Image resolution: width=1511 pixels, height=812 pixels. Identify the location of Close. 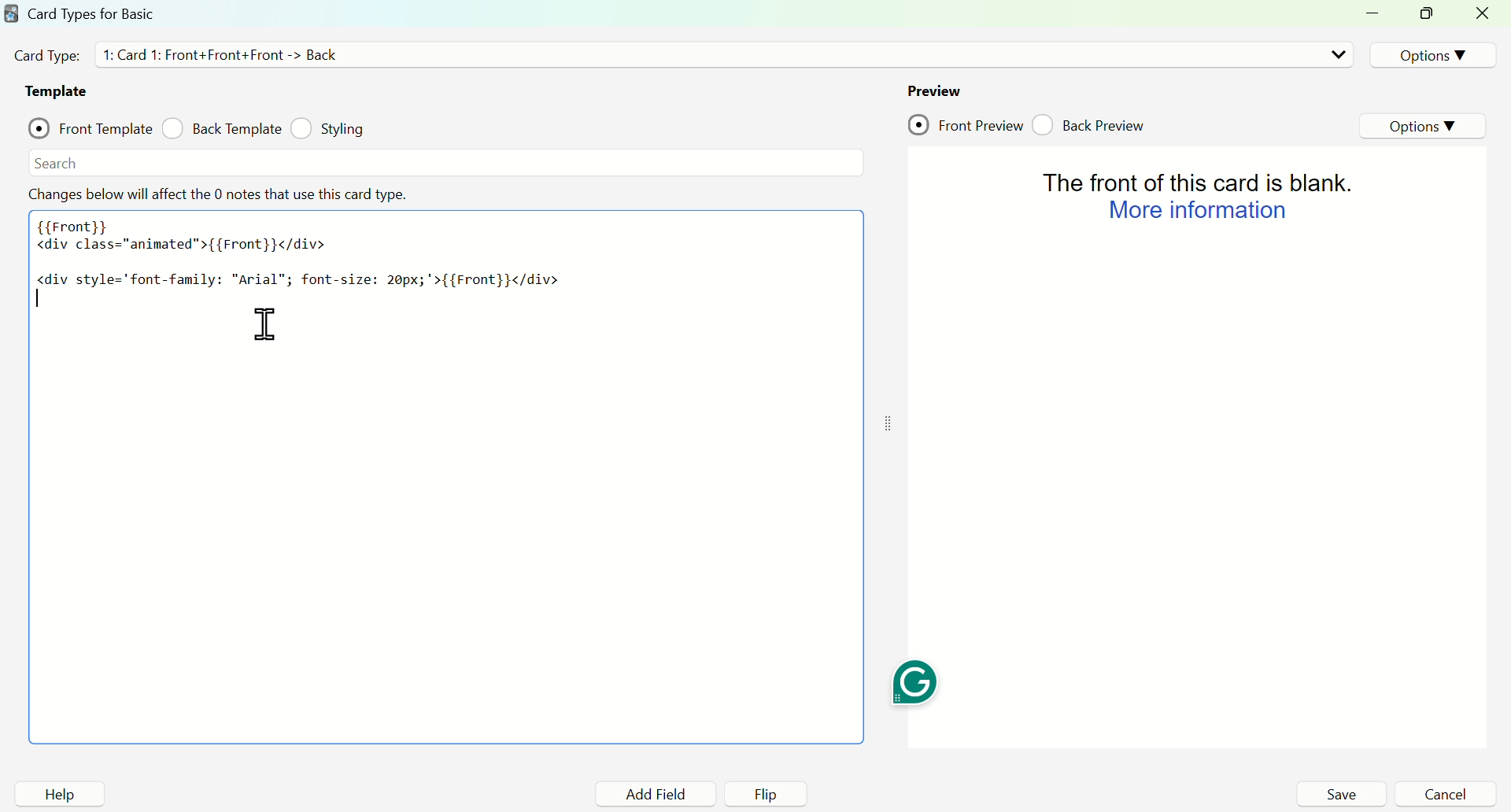
(1485, 14).